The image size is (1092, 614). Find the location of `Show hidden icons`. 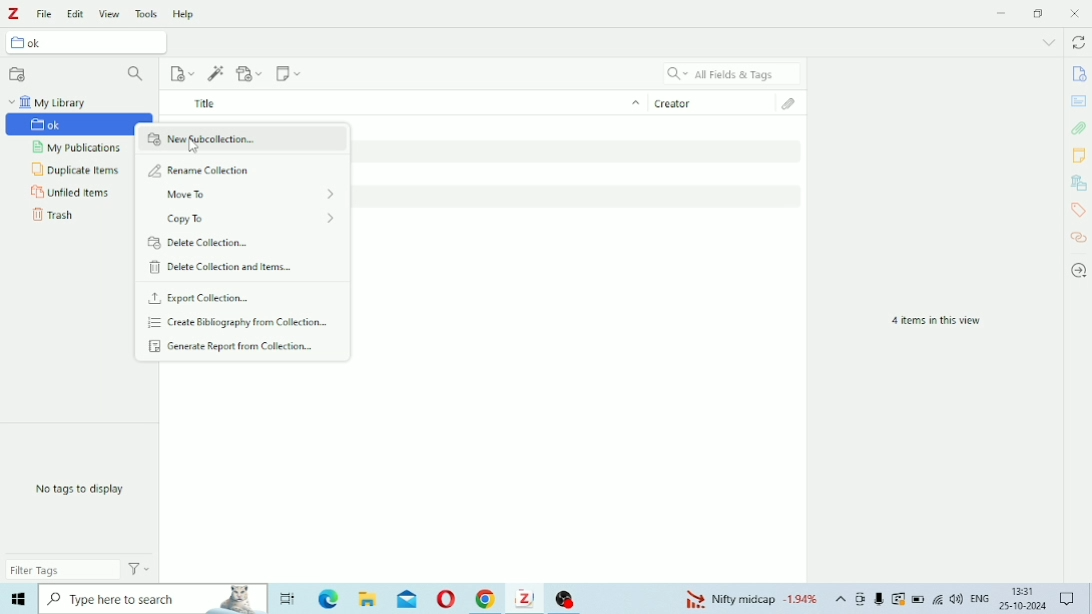

Show hidden icons is located at coordinates (841, 599).